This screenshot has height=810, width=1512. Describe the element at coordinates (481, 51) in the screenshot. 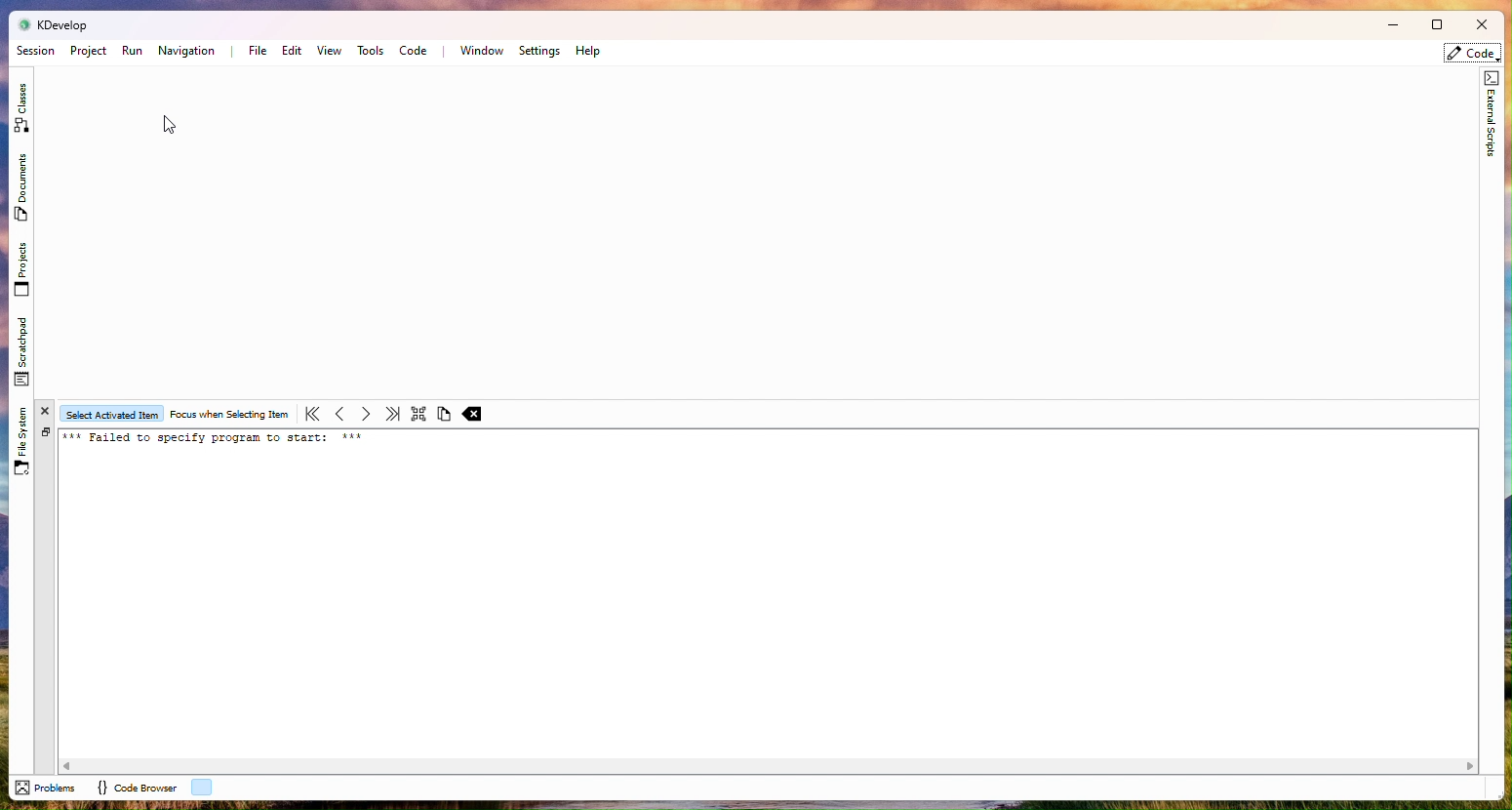

I see `Window` at that location.